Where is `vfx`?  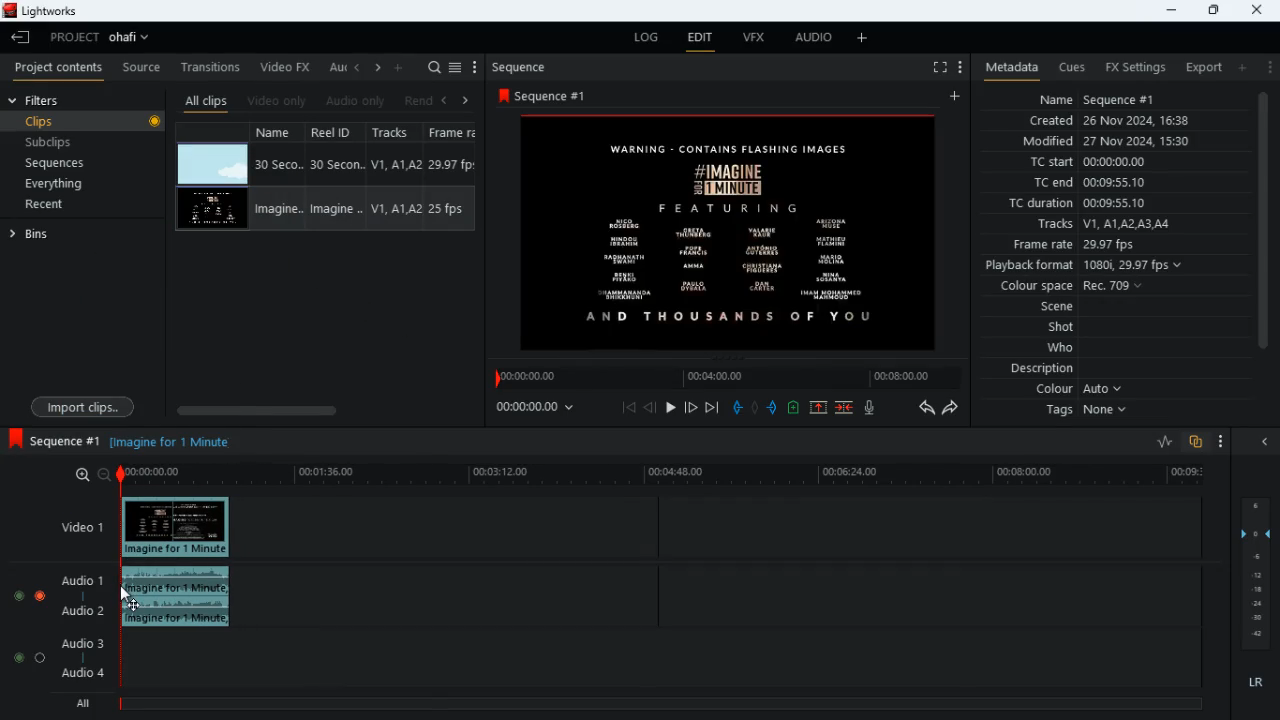 vfx is located at coordinates (752, 39).